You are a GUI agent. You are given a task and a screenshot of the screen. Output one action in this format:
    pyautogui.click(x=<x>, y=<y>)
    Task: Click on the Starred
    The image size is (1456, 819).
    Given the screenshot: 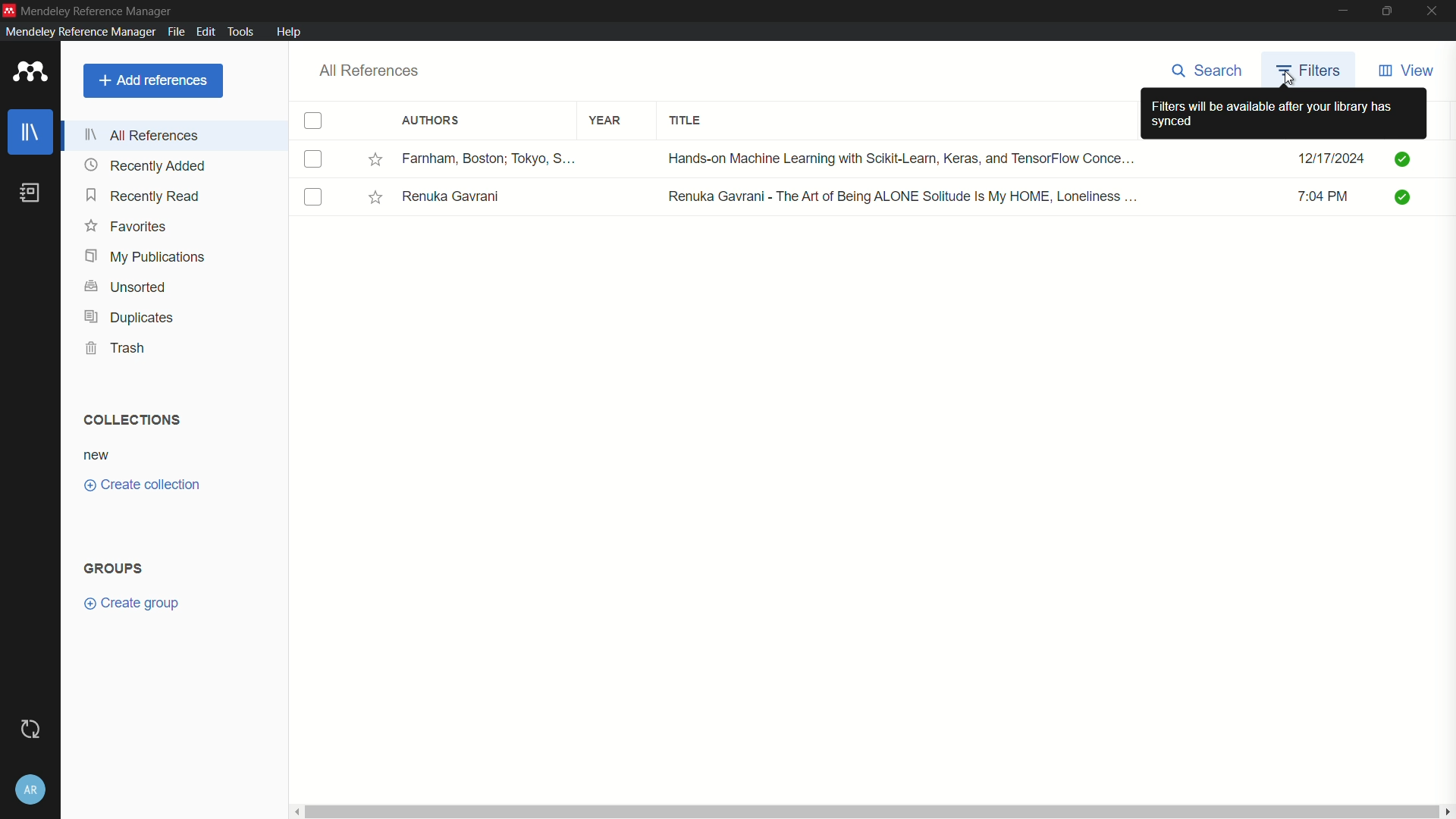 What is the action you would take?
    pyautogui.click(x=375, y=159)
    